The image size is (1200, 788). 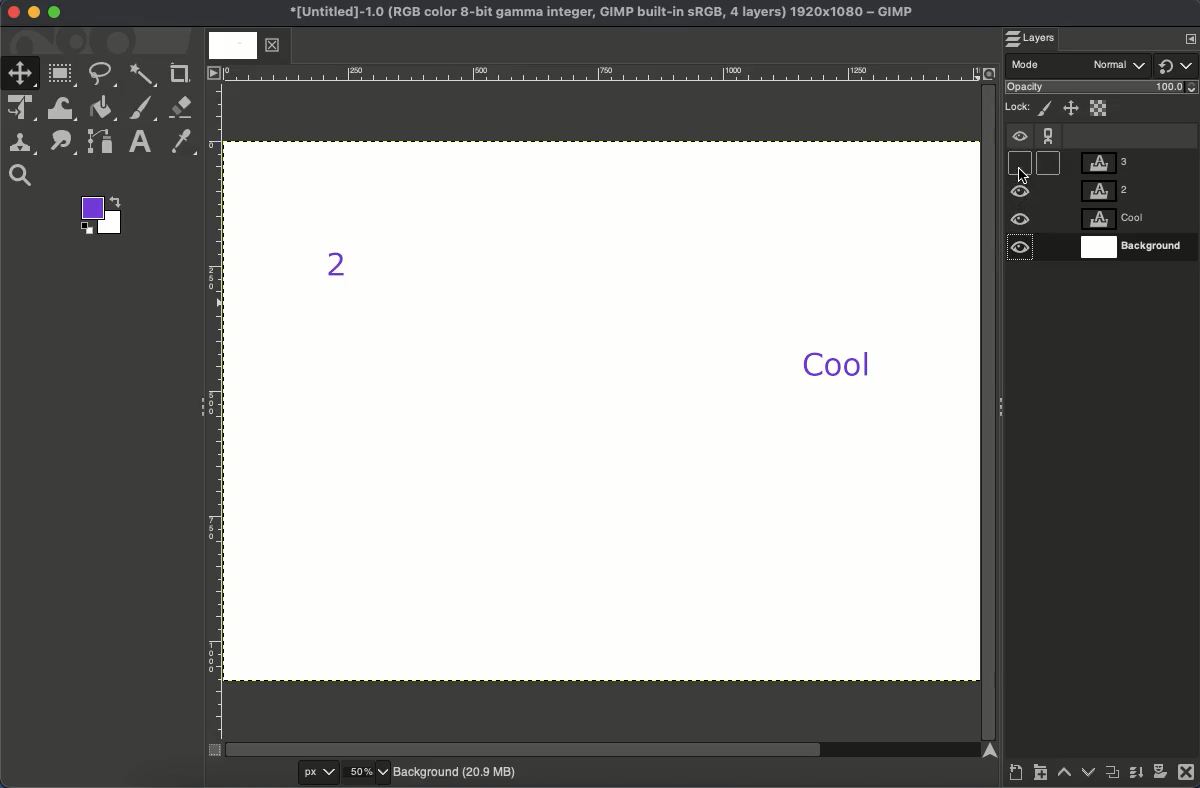 What do you see at coordinates (214, 412) in the screenshot?
I see `Ruler` at bounding box center [214, 412].